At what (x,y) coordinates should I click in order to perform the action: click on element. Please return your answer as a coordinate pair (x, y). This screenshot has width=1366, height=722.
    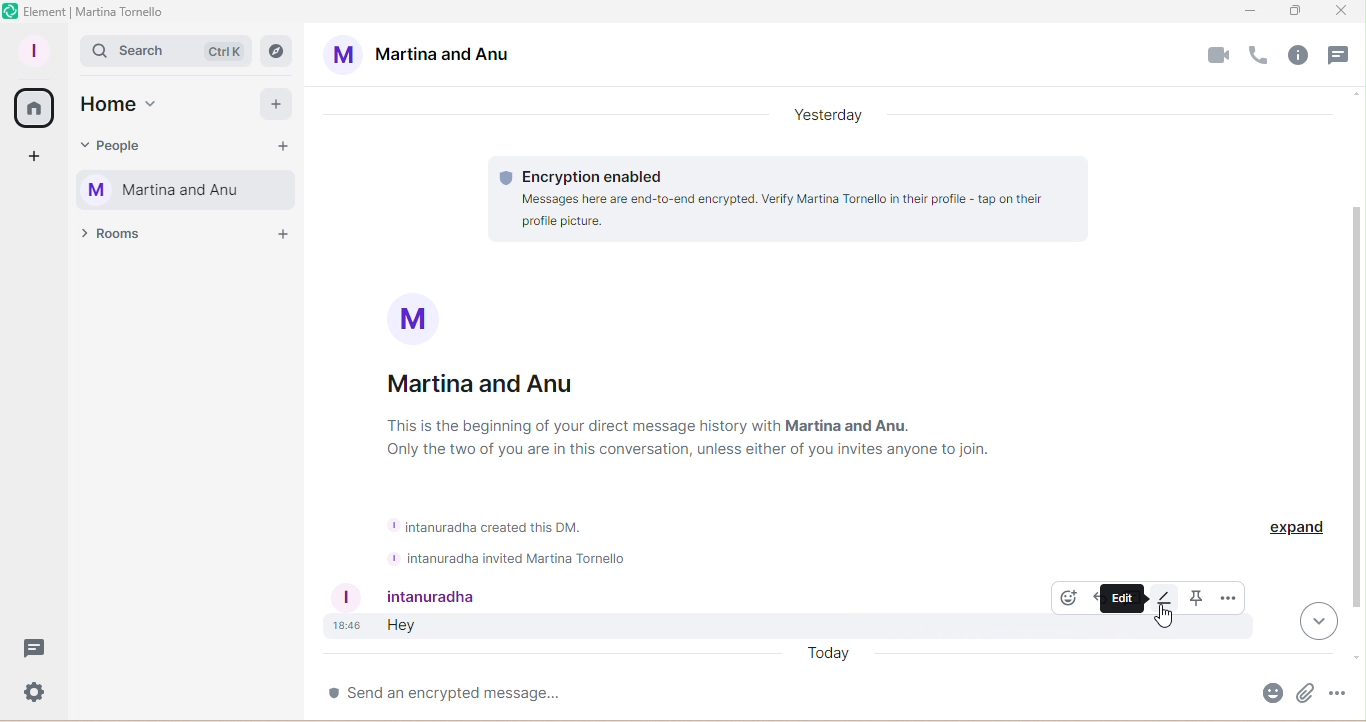
    Looking at the image, I should click on (46, 12).